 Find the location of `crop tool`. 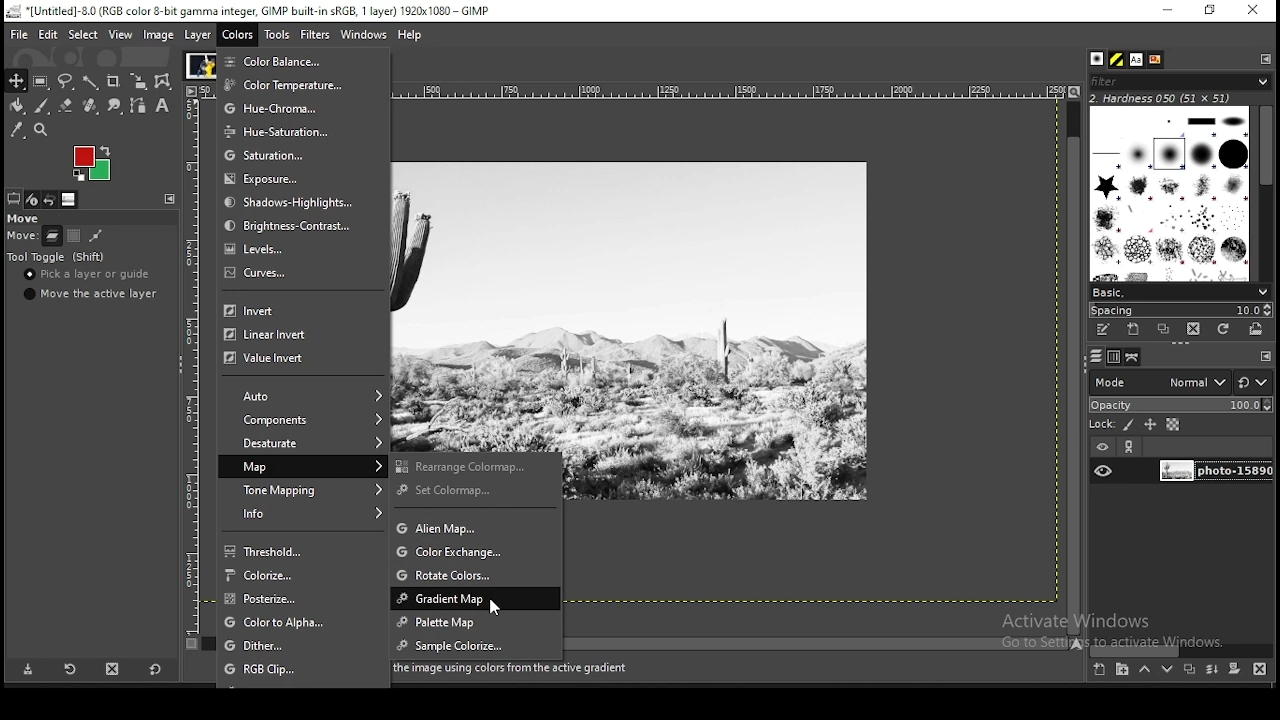

crop tool is located at coordinates (114, 80).